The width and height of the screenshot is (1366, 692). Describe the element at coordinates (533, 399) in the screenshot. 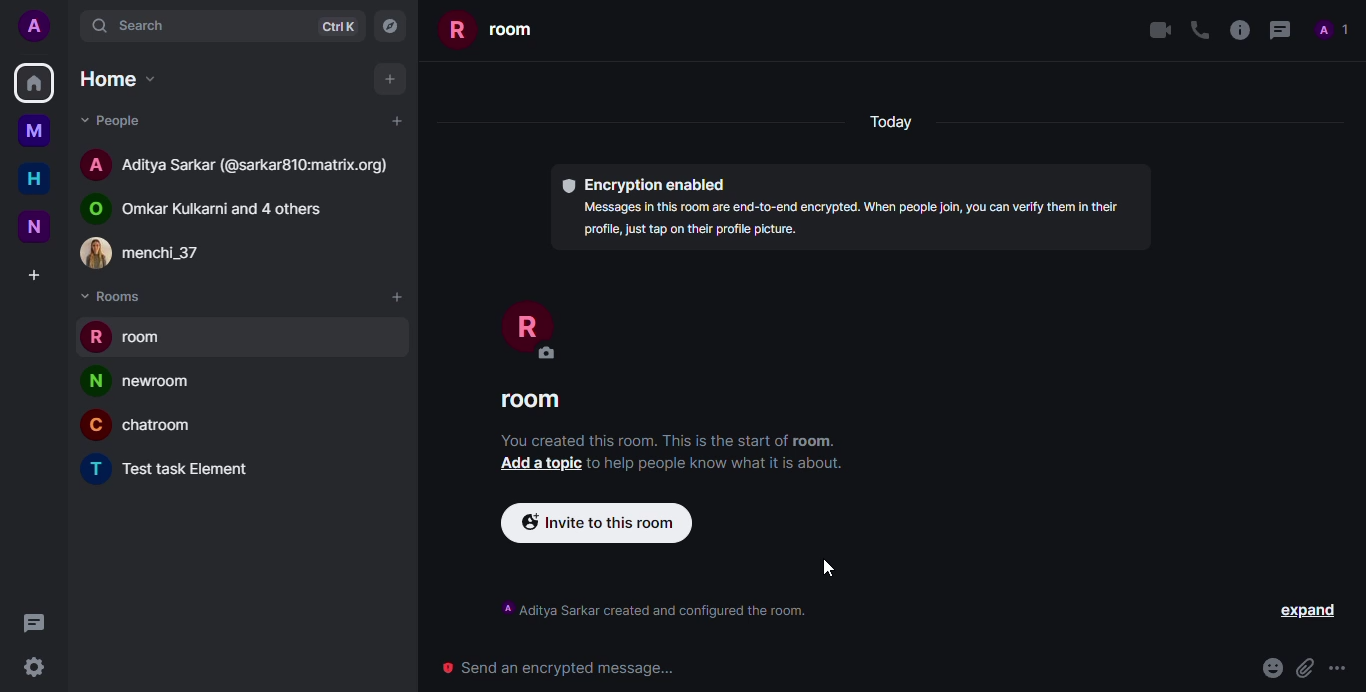

I see `room` at that location.